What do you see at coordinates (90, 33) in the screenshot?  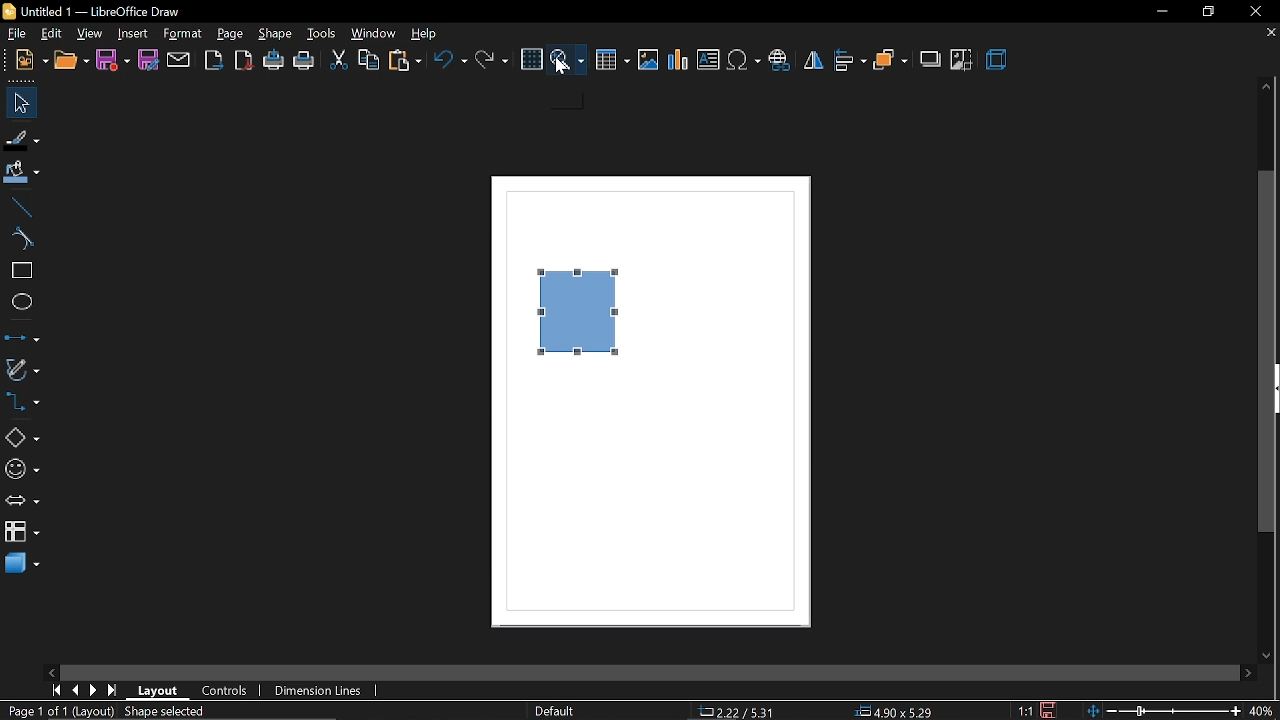 I see `view` at bounding box center [90, 33].